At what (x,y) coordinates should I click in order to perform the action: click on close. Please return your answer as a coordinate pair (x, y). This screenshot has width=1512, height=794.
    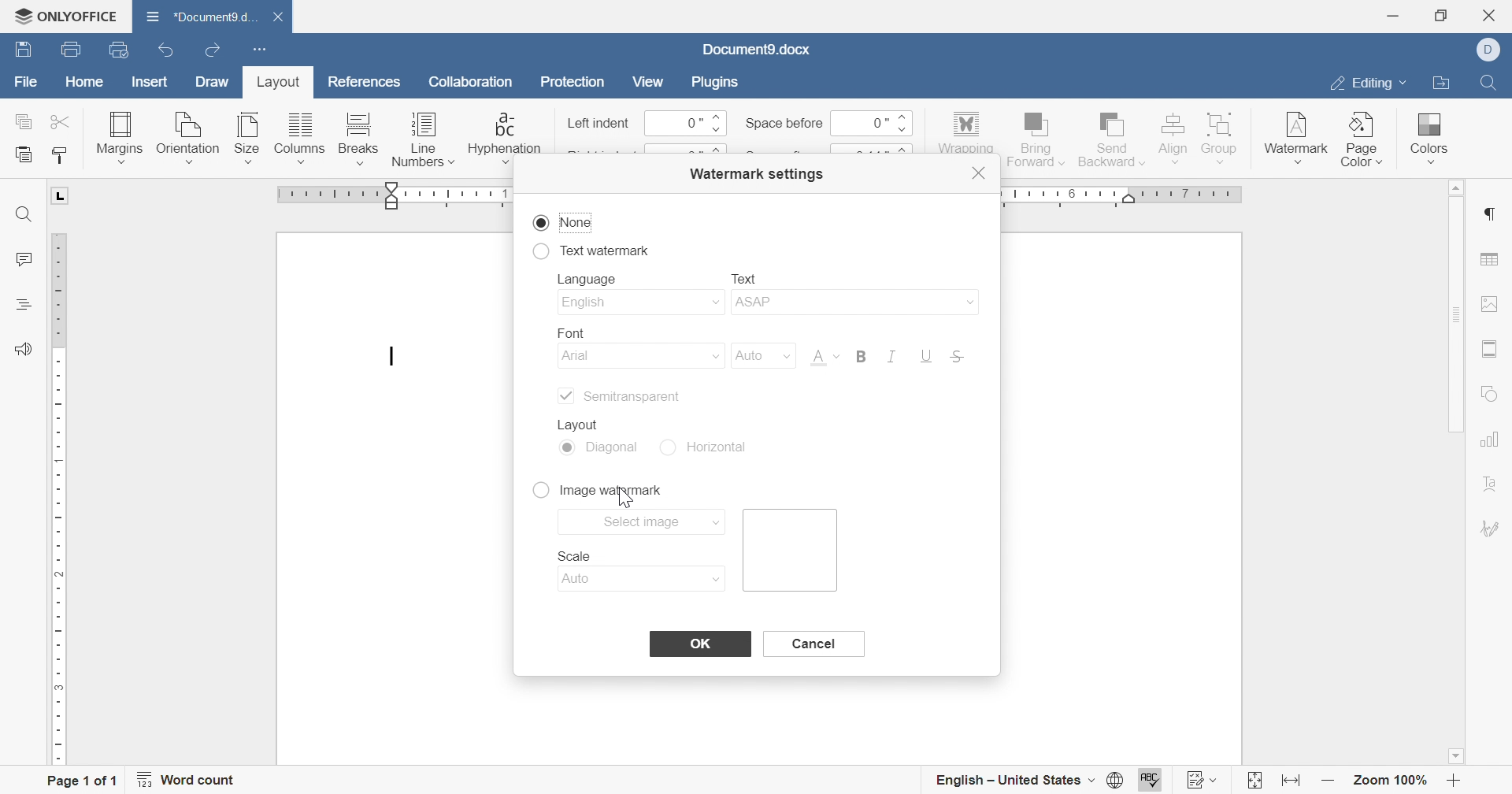
    Looking at the image, I should click on (980, 173).